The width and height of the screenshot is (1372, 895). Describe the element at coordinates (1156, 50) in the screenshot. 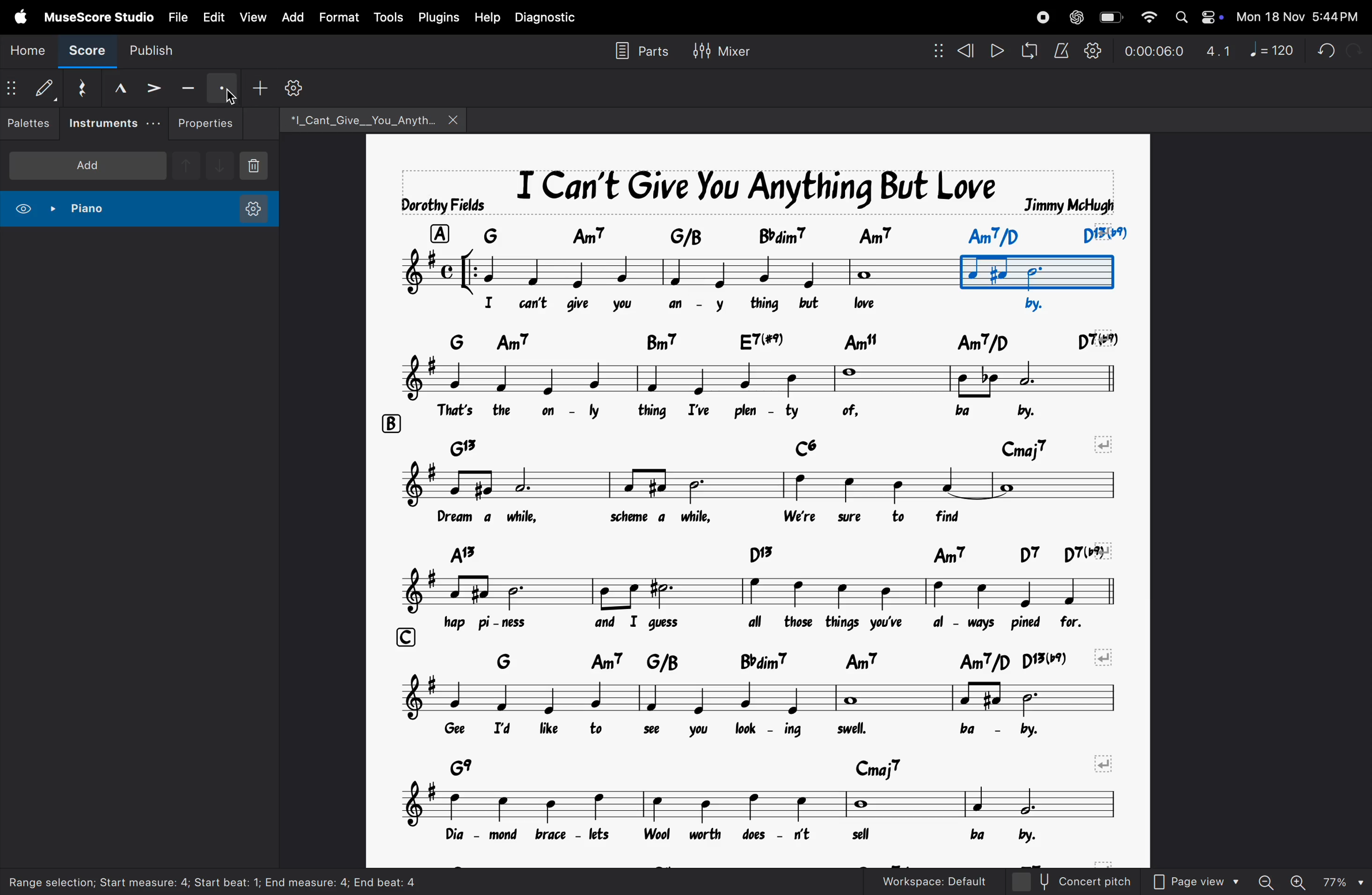

I see `timestamp` at that location.